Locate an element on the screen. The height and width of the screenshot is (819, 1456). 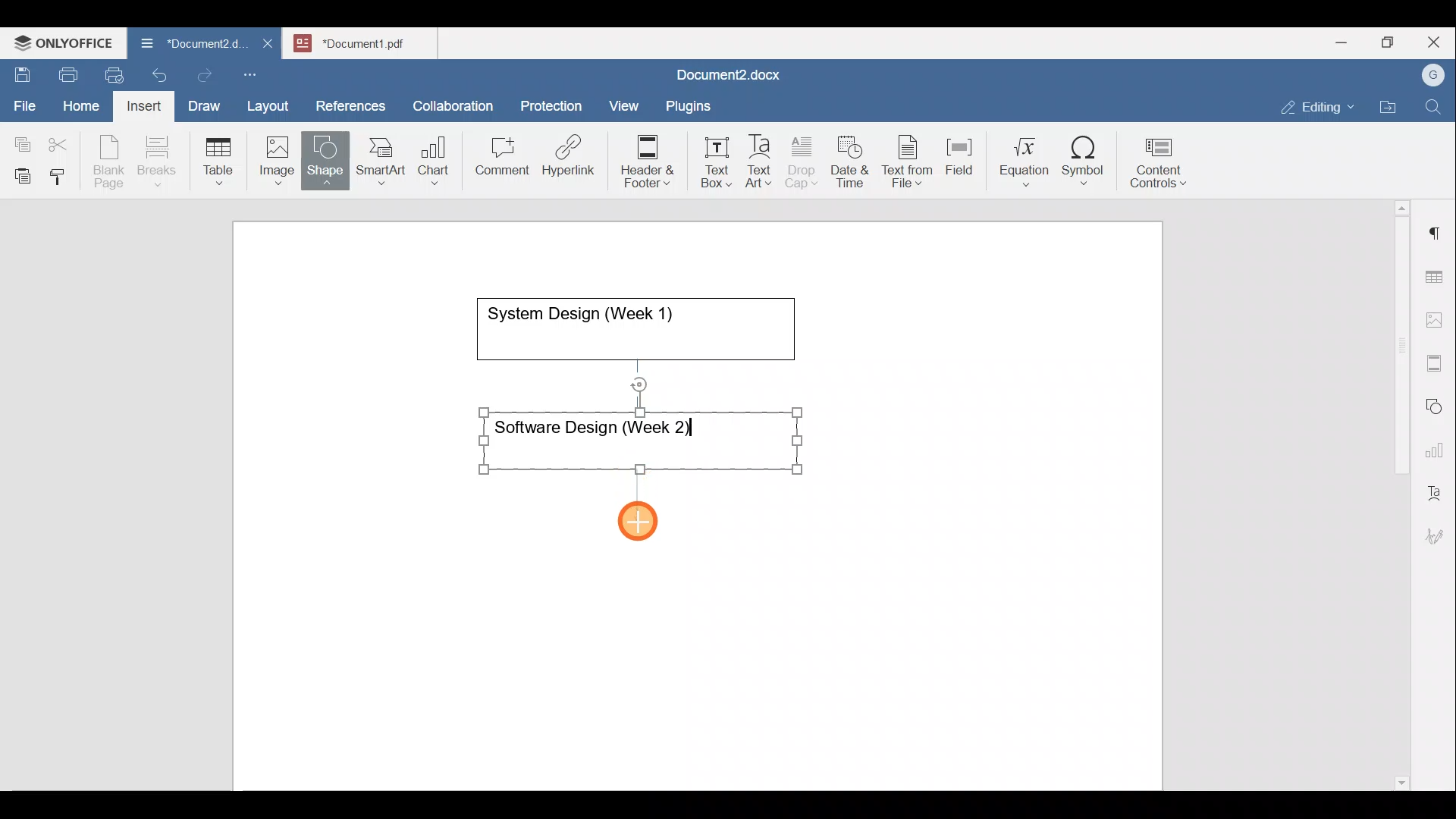
Close document is located at coordinates (268, 45).